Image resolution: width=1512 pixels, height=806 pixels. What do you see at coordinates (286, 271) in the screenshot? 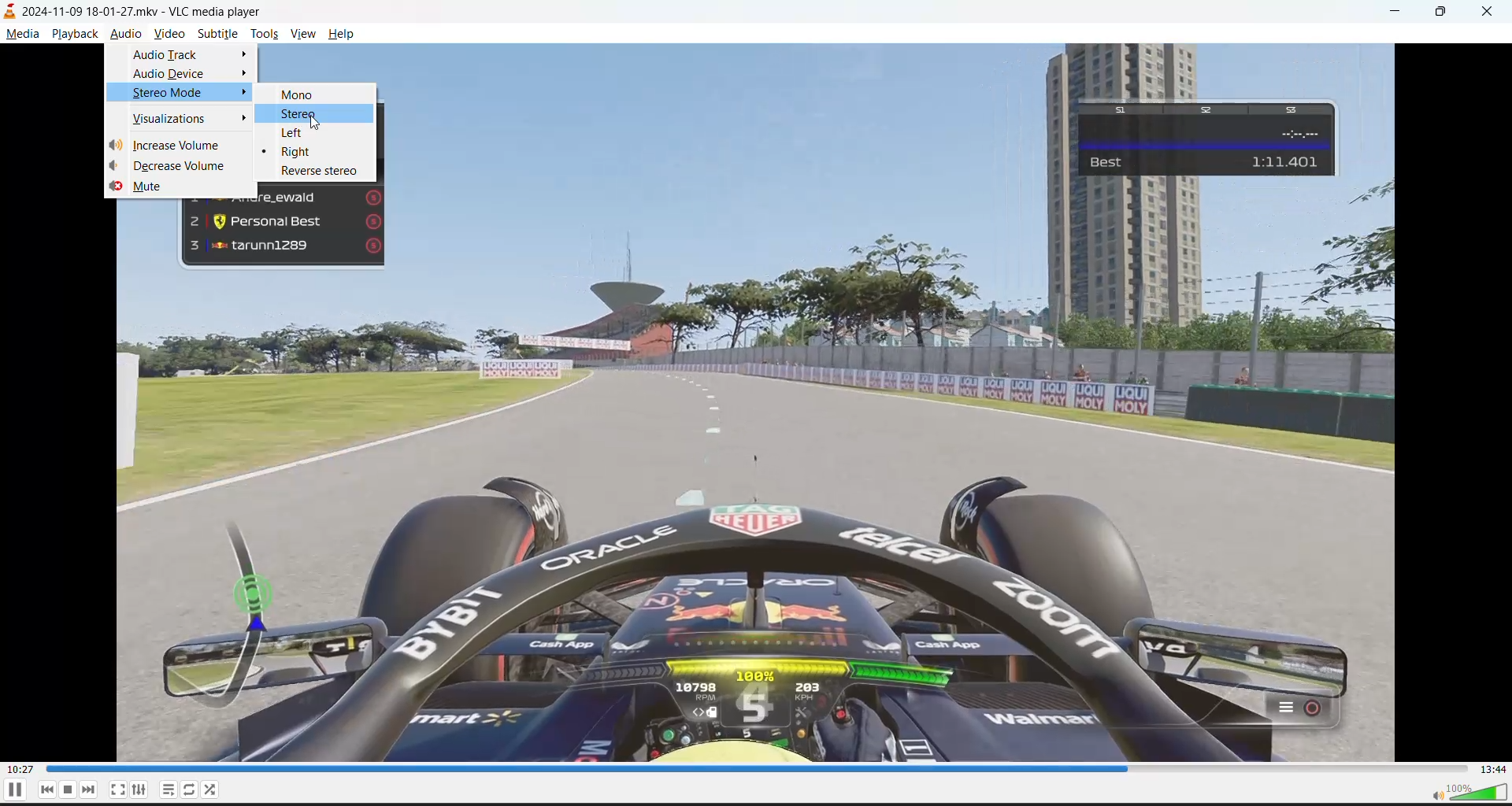
I see `preview` at bounding box center [286, 271].